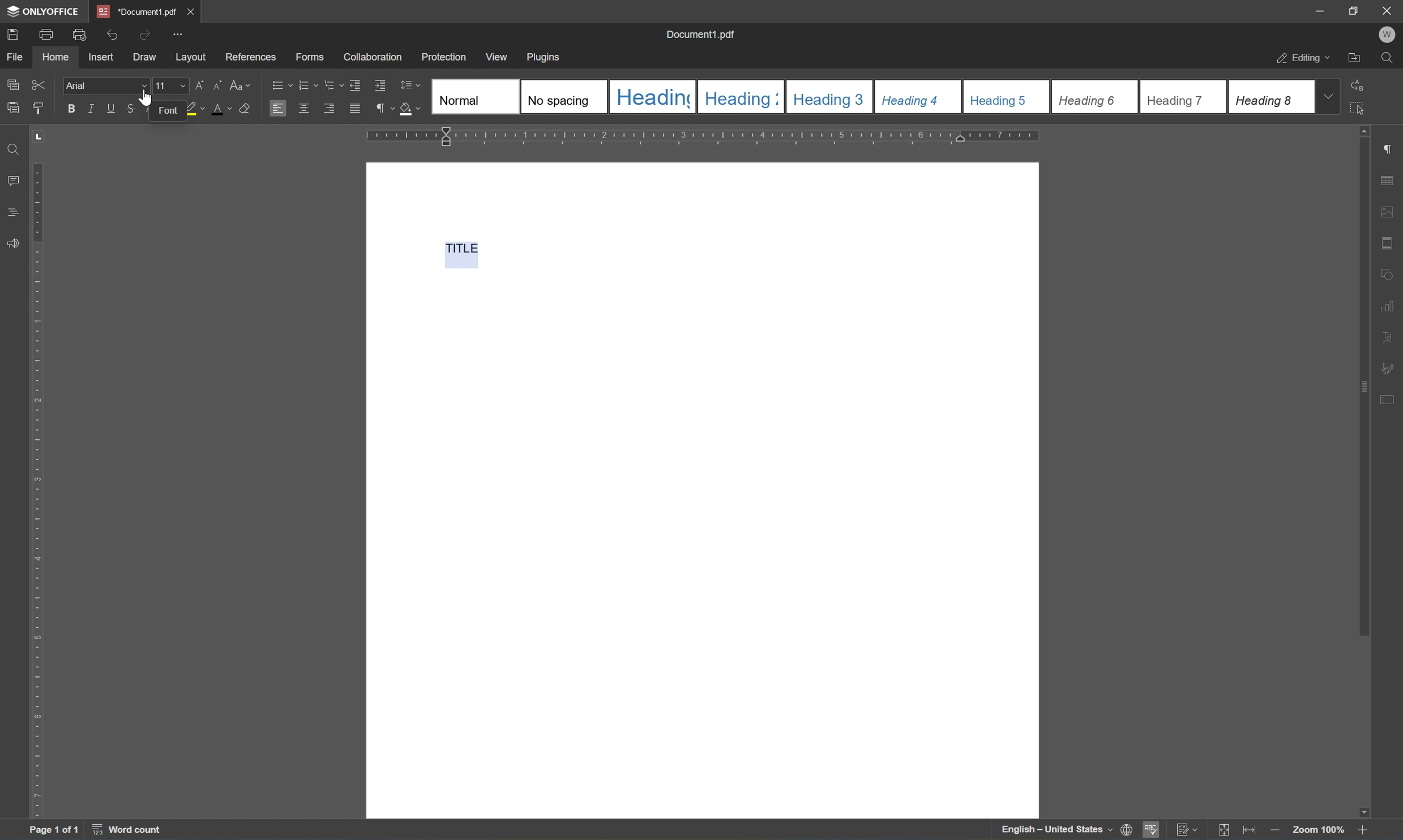 Image resolution: width=1403 pixels, height=840 pixels. Describe the element at coordinates (1390, 273) in the screenshot. I see `shape settings` at that location.